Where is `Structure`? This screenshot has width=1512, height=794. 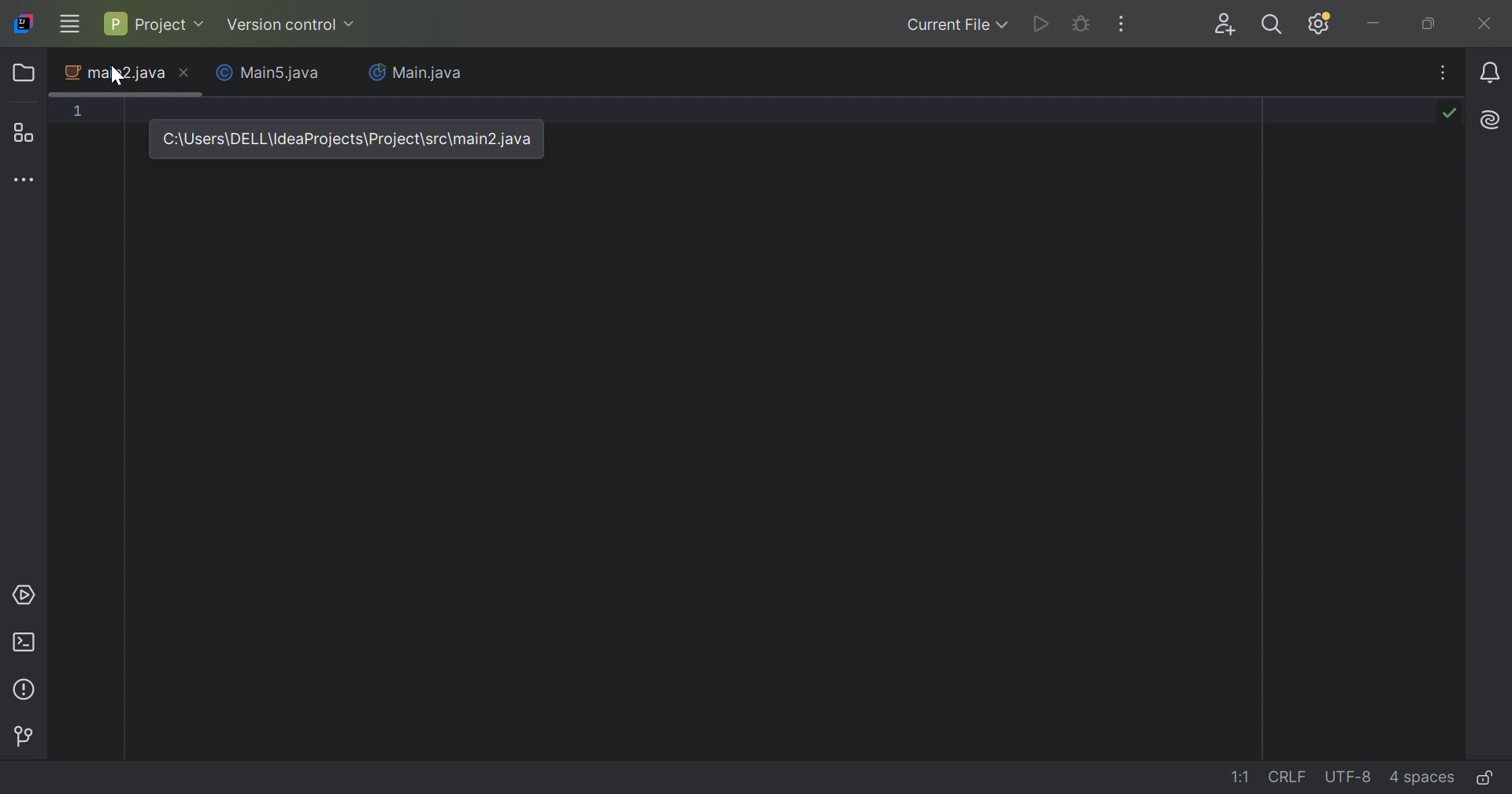
Structure is located at coordinates (26, 132).